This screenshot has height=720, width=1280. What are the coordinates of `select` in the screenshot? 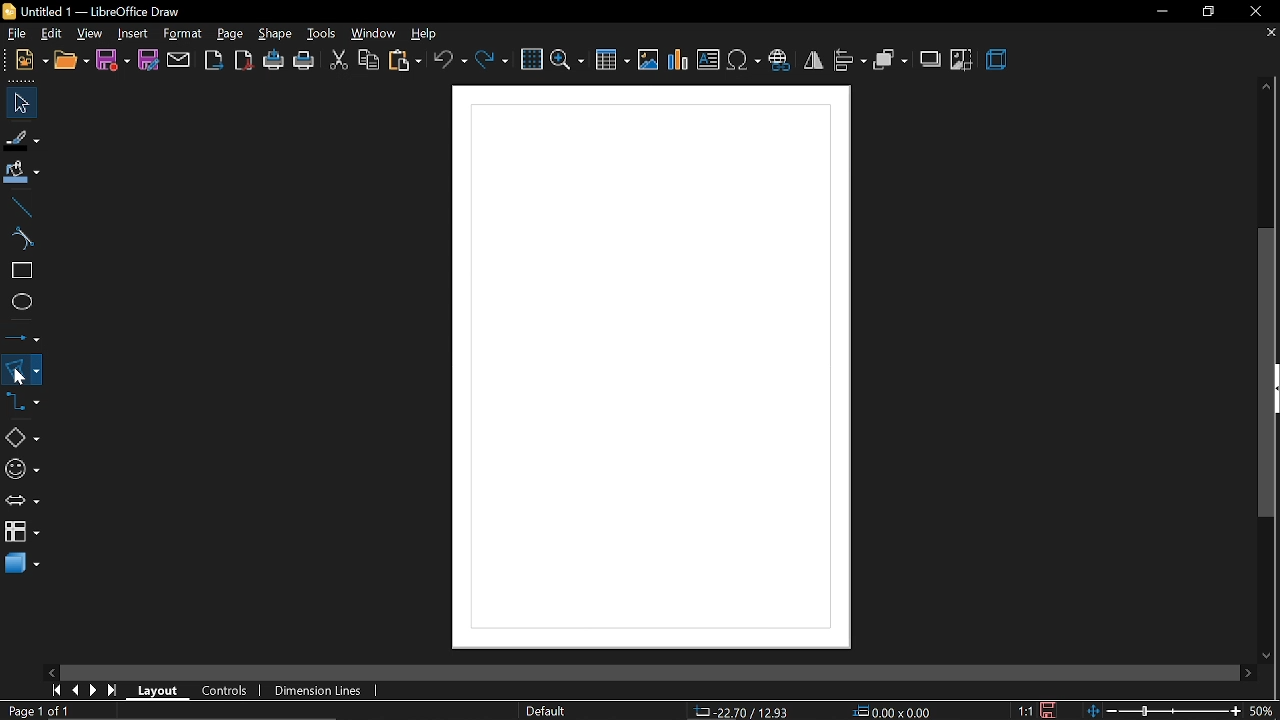 It's located at (18, 103).